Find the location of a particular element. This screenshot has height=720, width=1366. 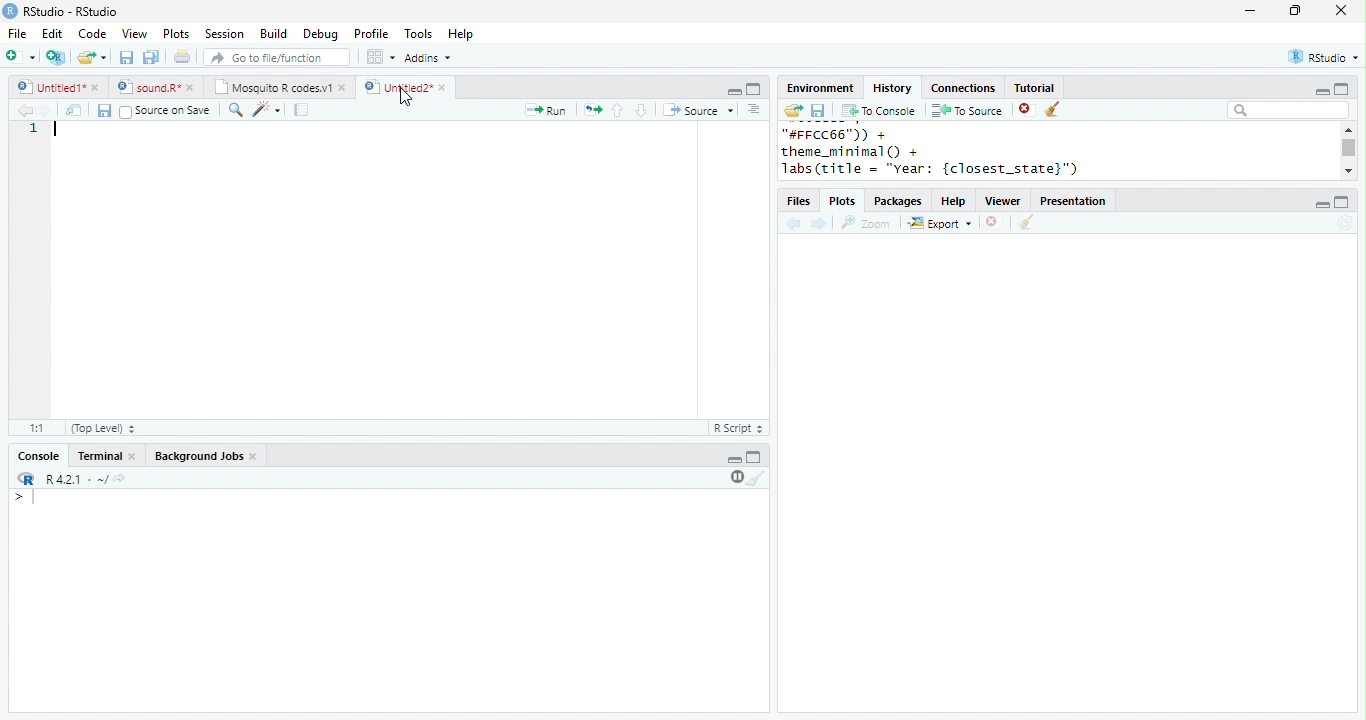

rerun is located at coordinates (594, 109).